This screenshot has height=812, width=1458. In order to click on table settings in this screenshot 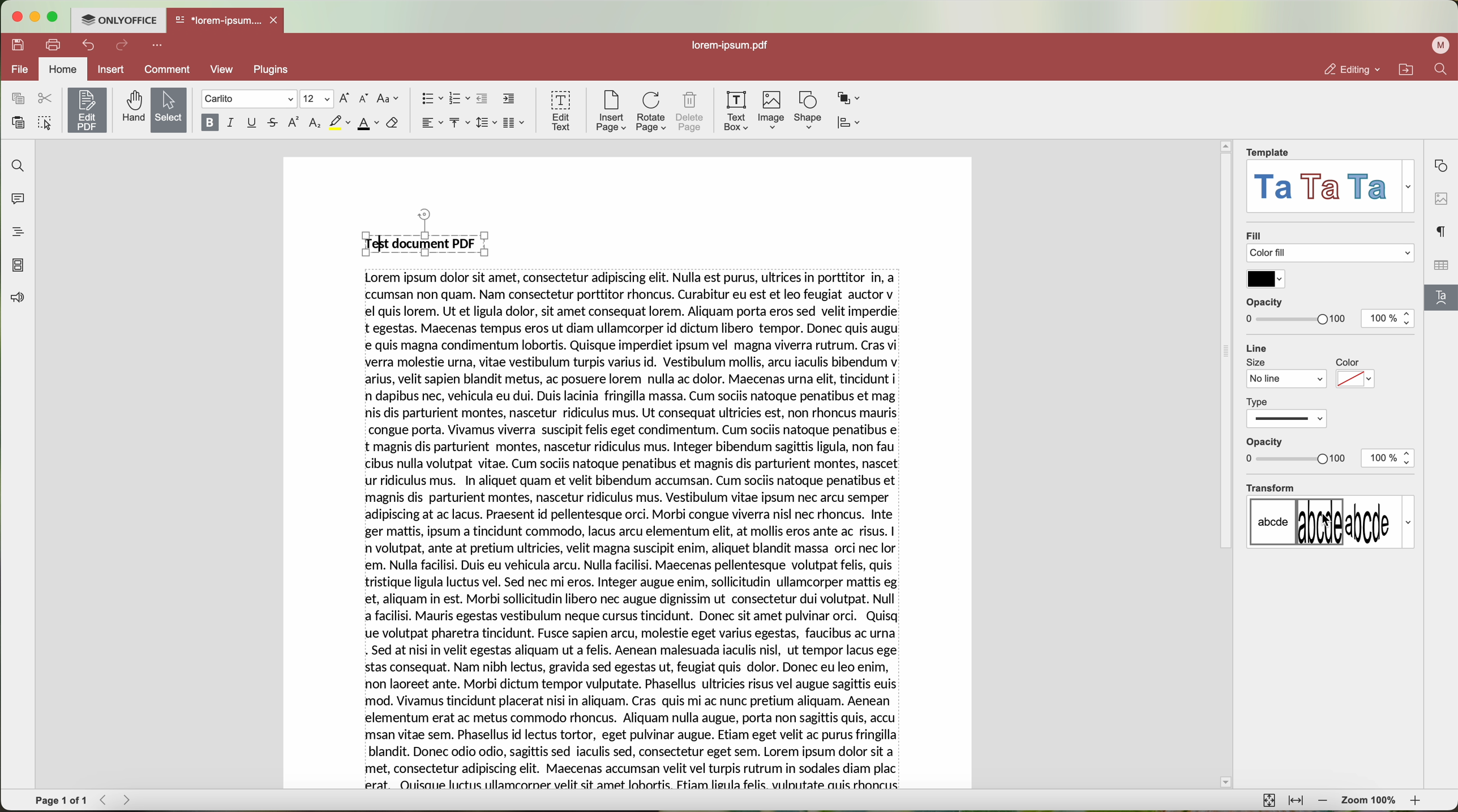, I will do `click(1440, 265)`.